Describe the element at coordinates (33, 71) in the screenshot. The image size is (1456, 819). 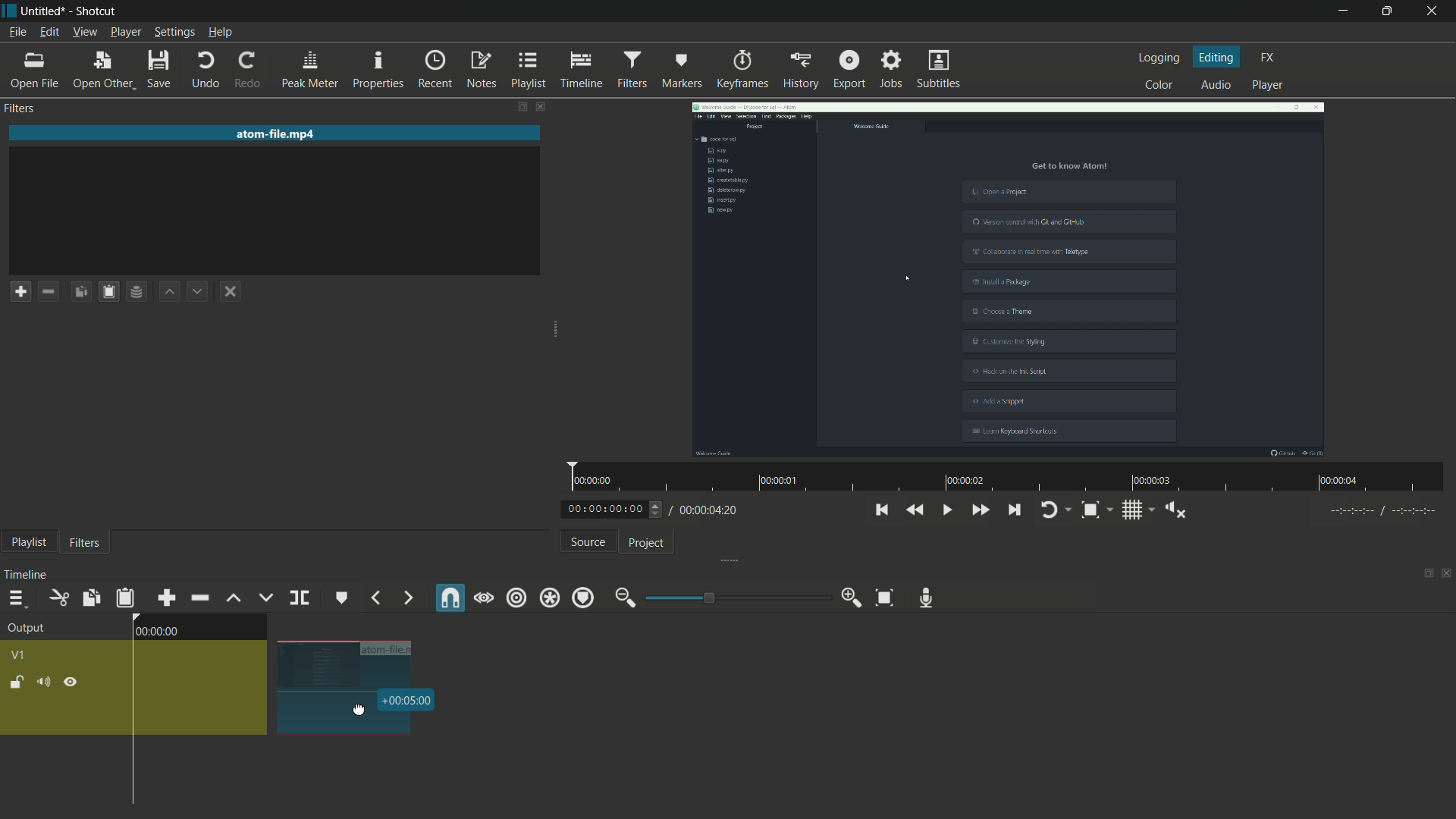
I see `open file` at that location.